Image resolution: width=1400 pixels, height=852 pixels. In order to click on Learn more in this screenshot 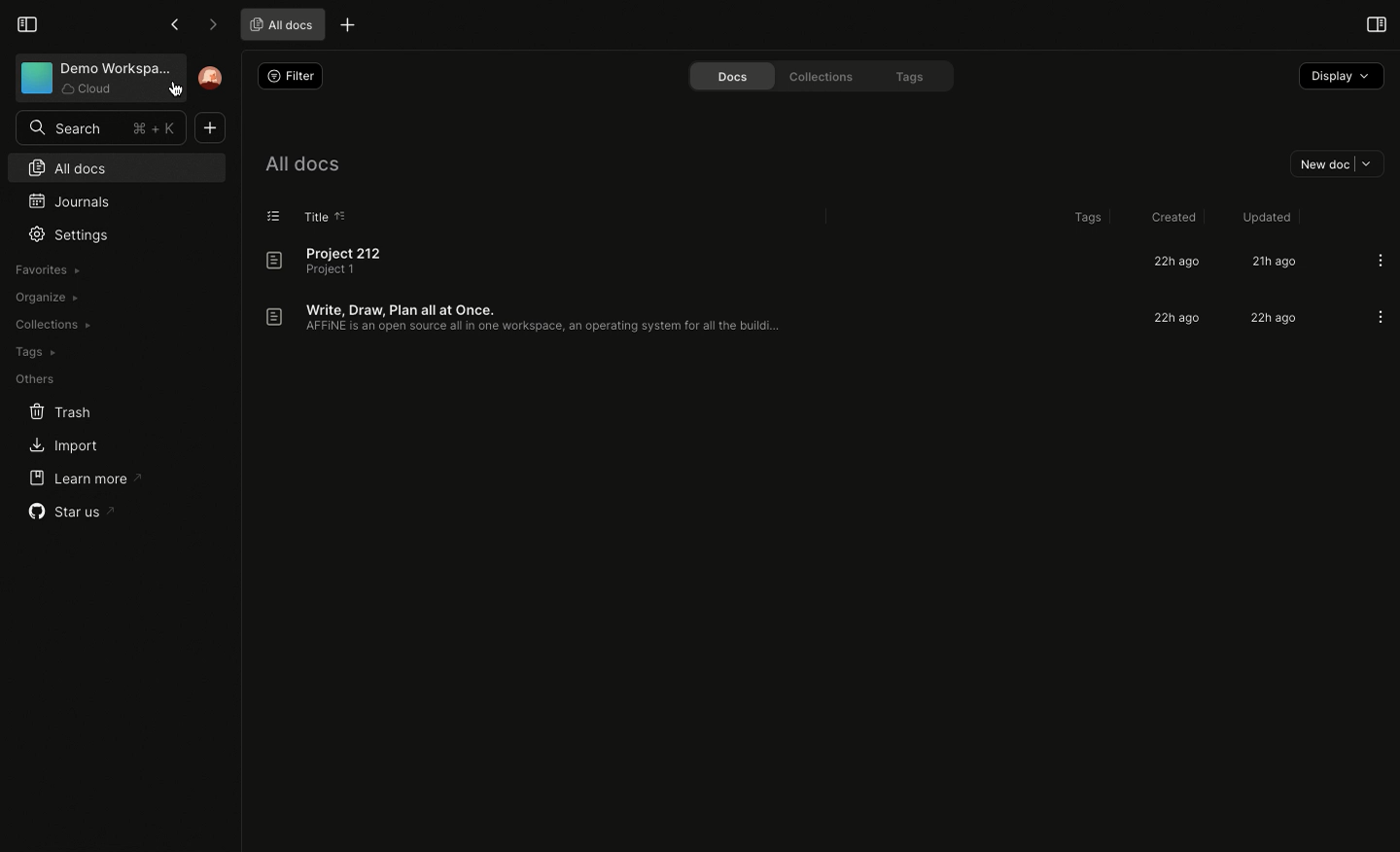, I will do `click(84, 478)`.